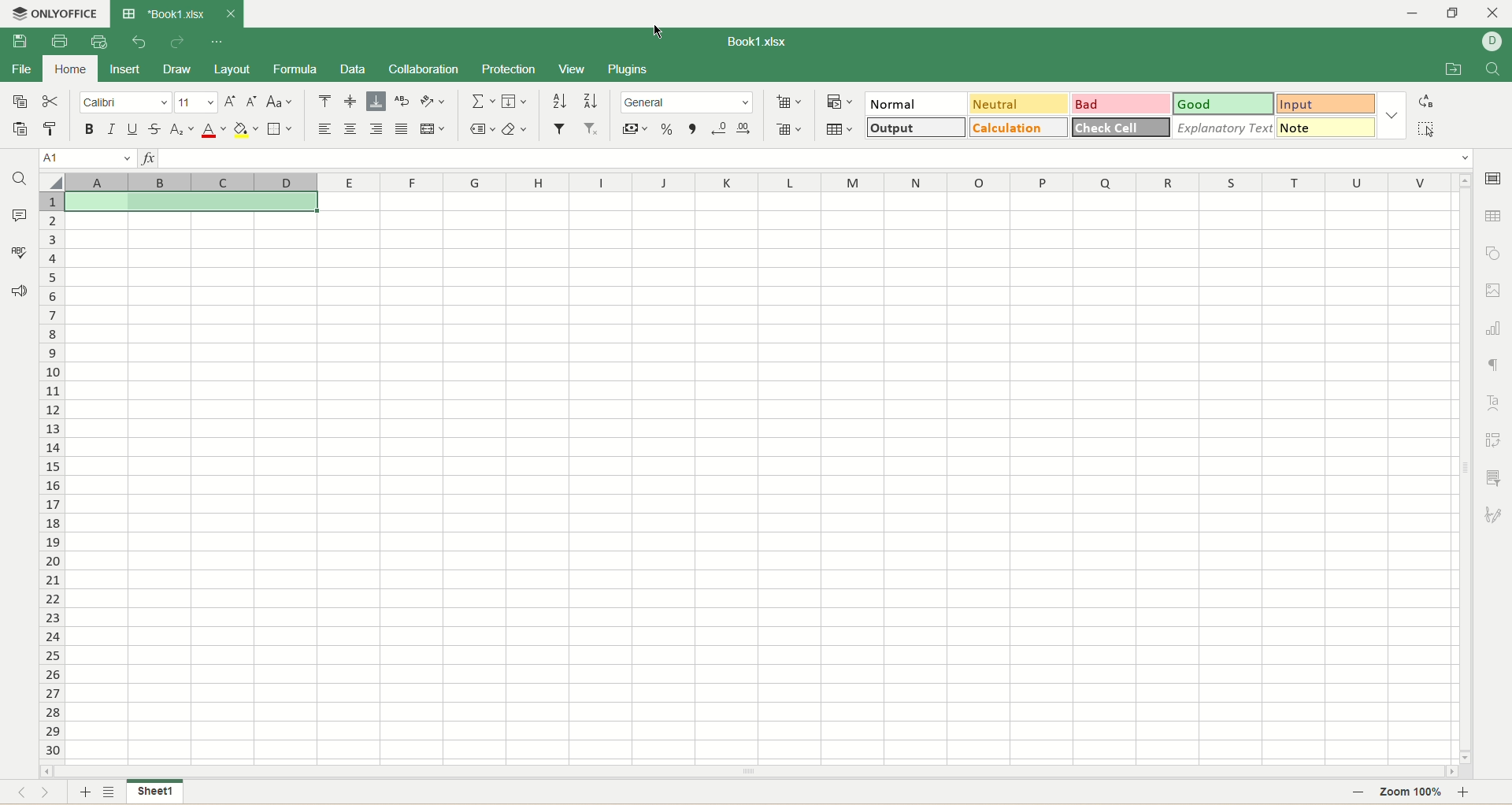 This screenshot has width=1512, height=805. I want to click on print, so click(58, 41).